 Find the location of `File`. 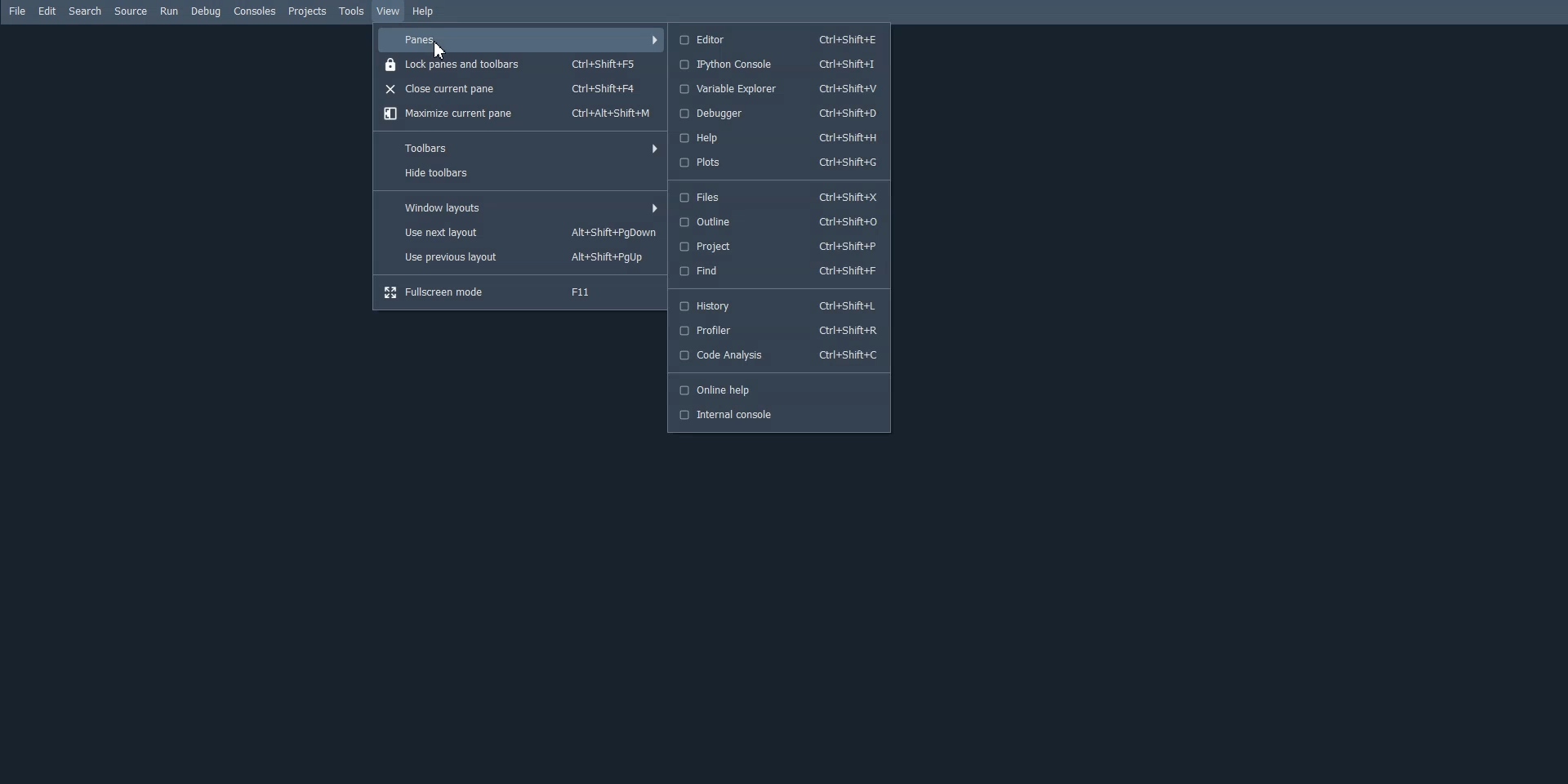

File is located at coordinates (17, 11).